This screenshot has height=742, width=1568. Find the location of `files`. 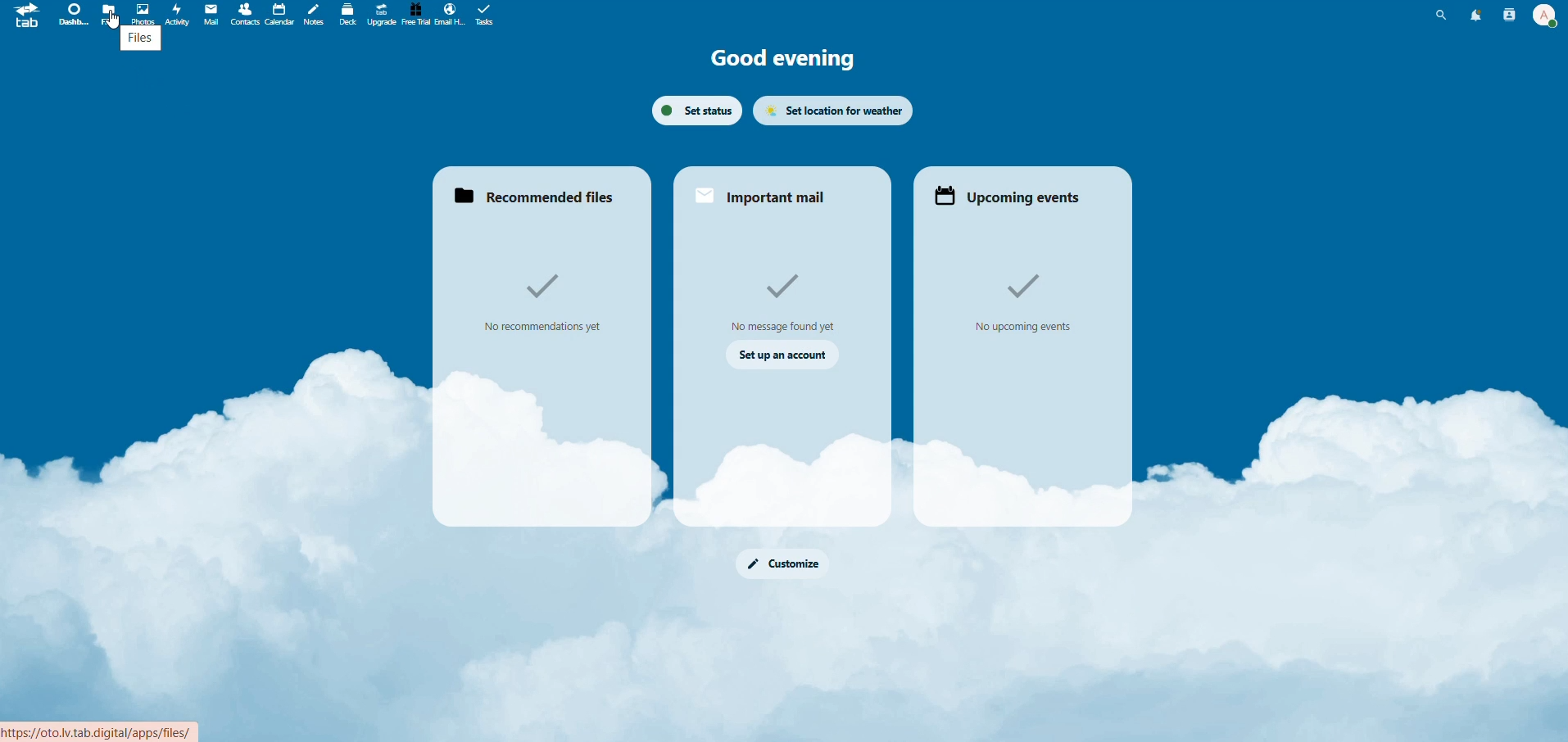

files is located at coordinates (139, 40).